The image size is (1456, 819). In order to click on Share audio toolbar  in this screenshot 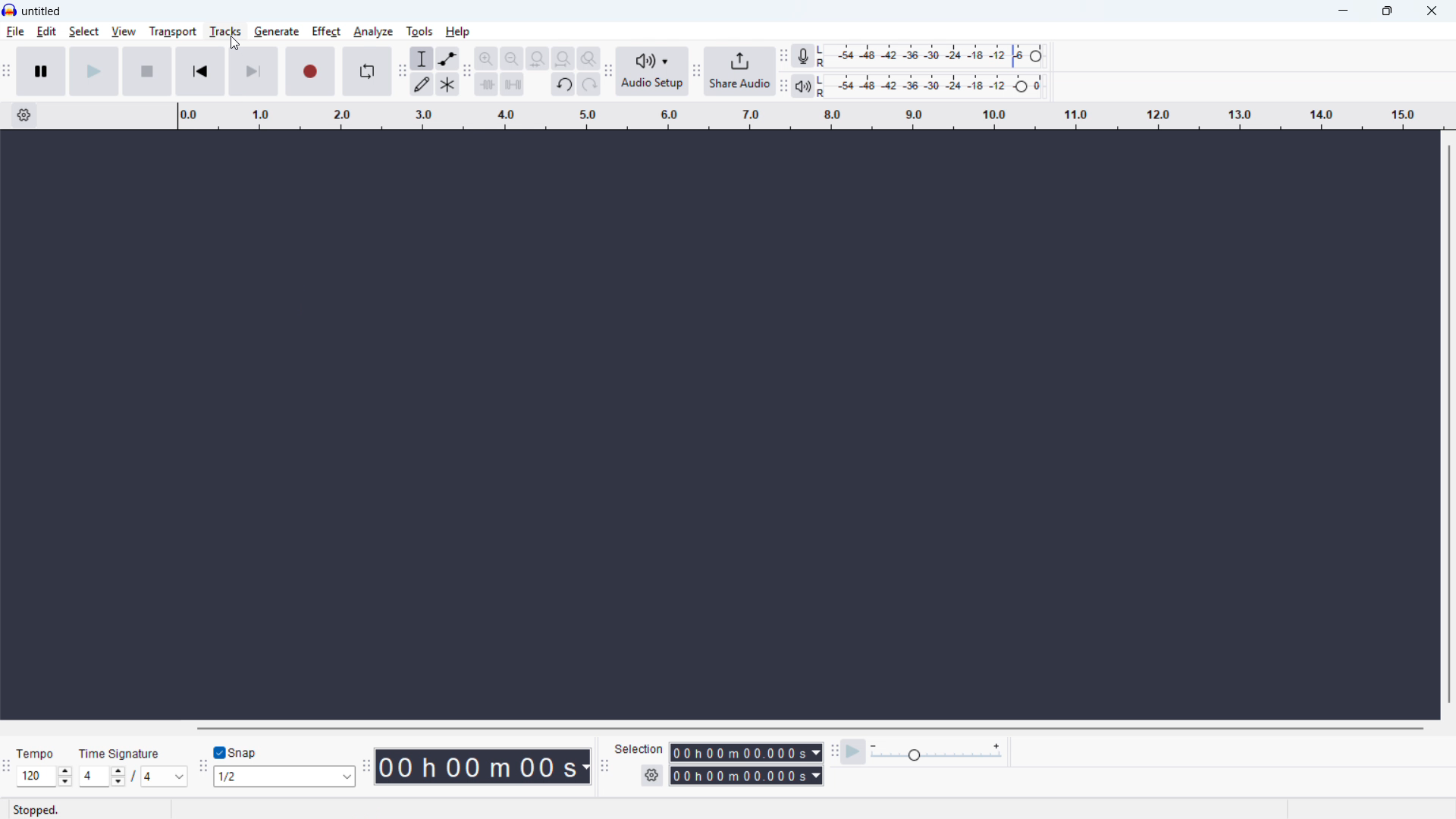, I will do `click(697, 71)`.